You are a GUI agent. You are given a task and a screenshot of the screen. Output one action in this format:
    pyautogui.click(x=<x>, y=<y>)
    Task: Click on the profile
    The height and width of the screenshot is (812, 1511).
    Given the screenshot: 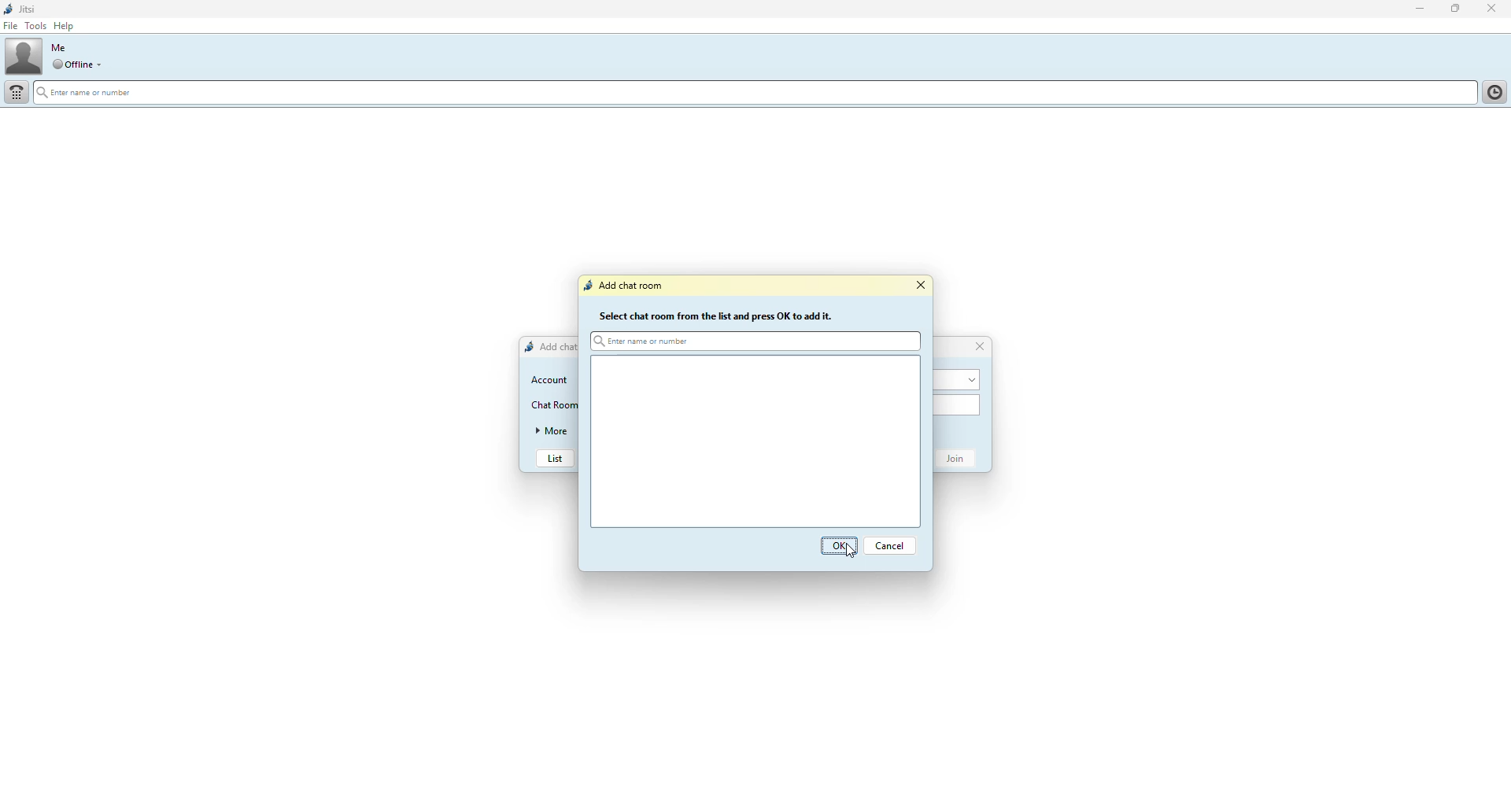 What is the action you would take?
    pyautogui.click(x=24, y=55)
    